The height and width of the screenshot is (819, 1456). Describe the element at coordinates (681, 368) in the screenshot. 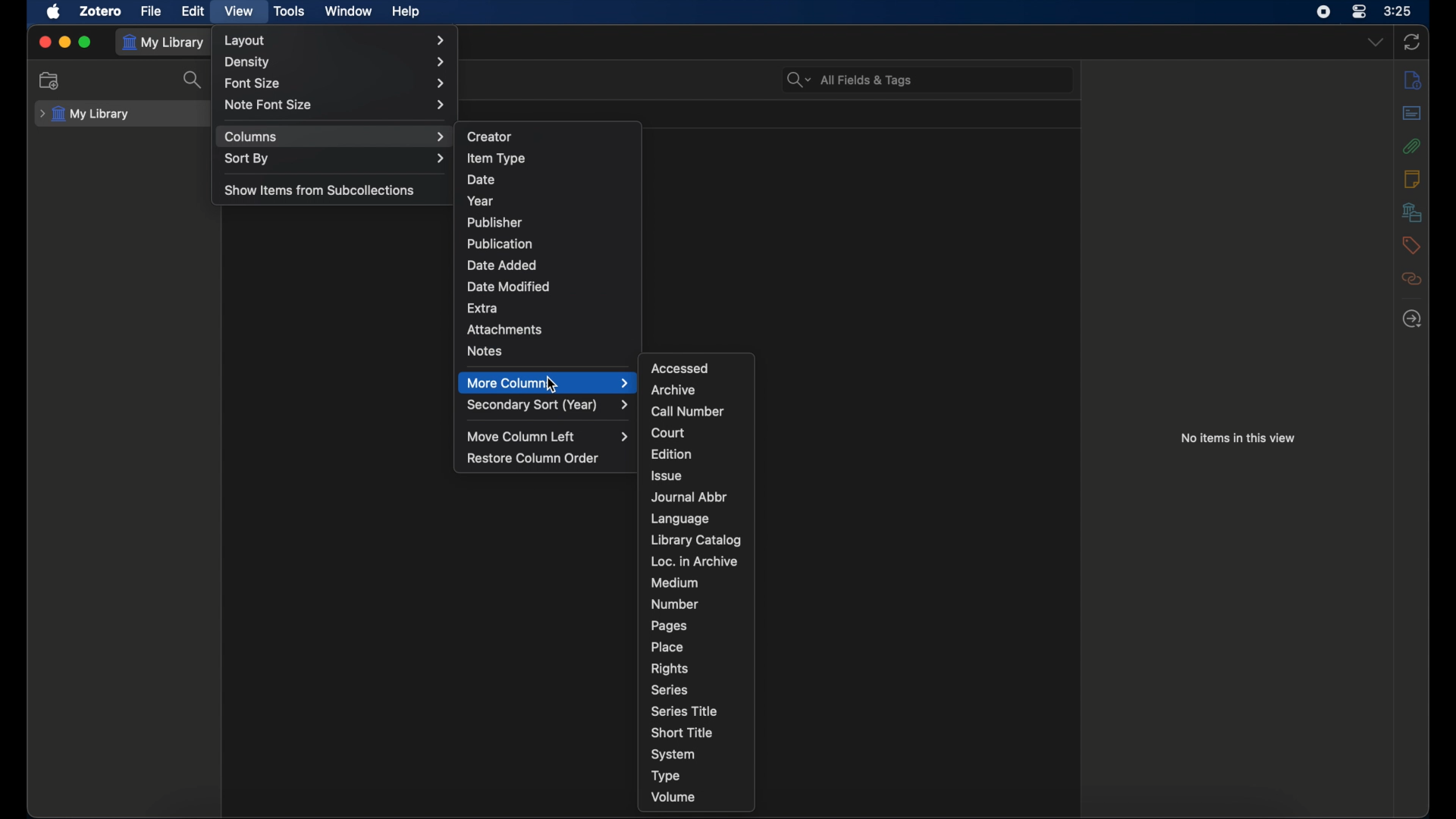

I see `accessed` at that location.